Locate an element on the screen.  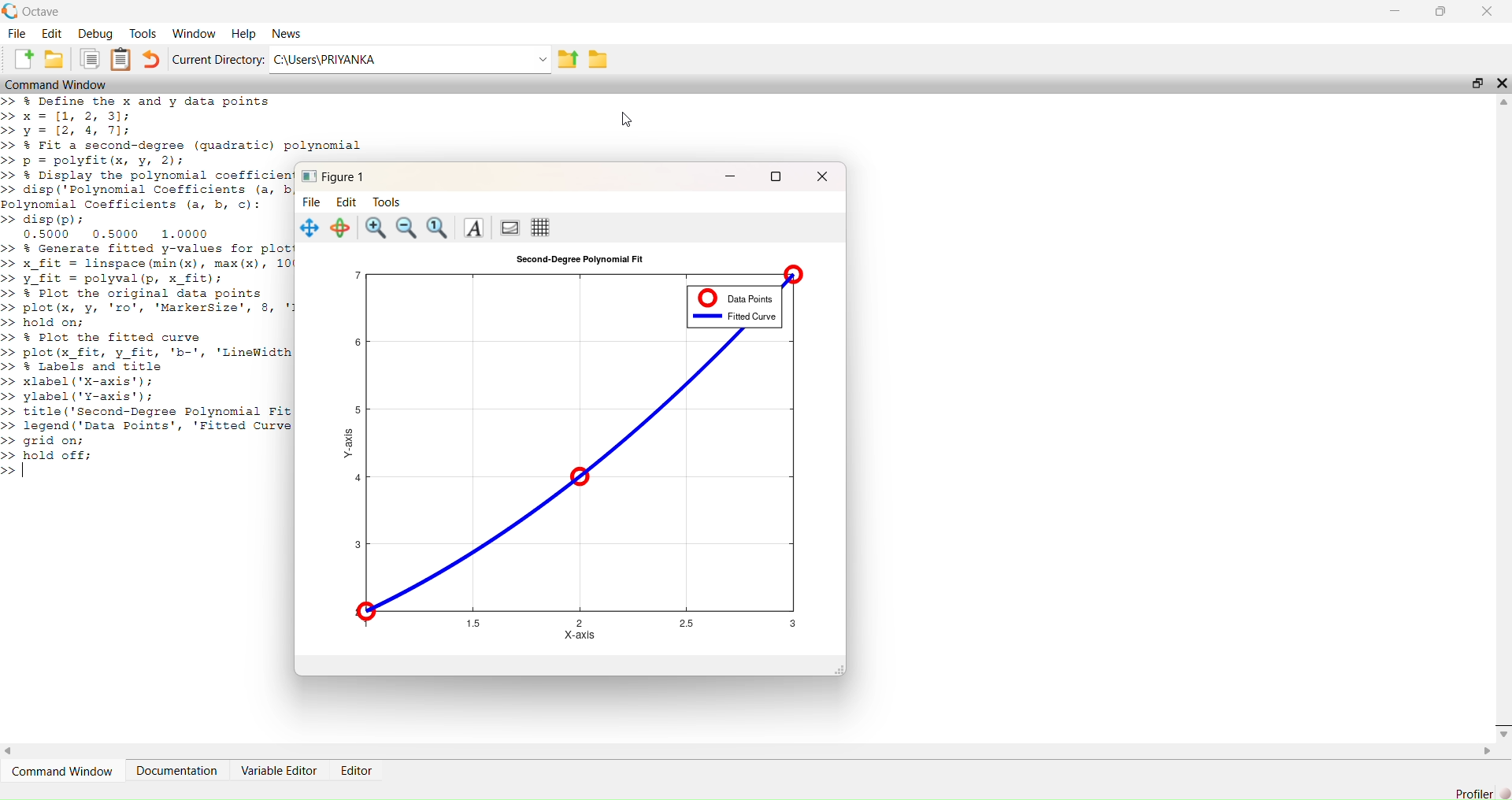
Help is located at coordinates (242, 35).